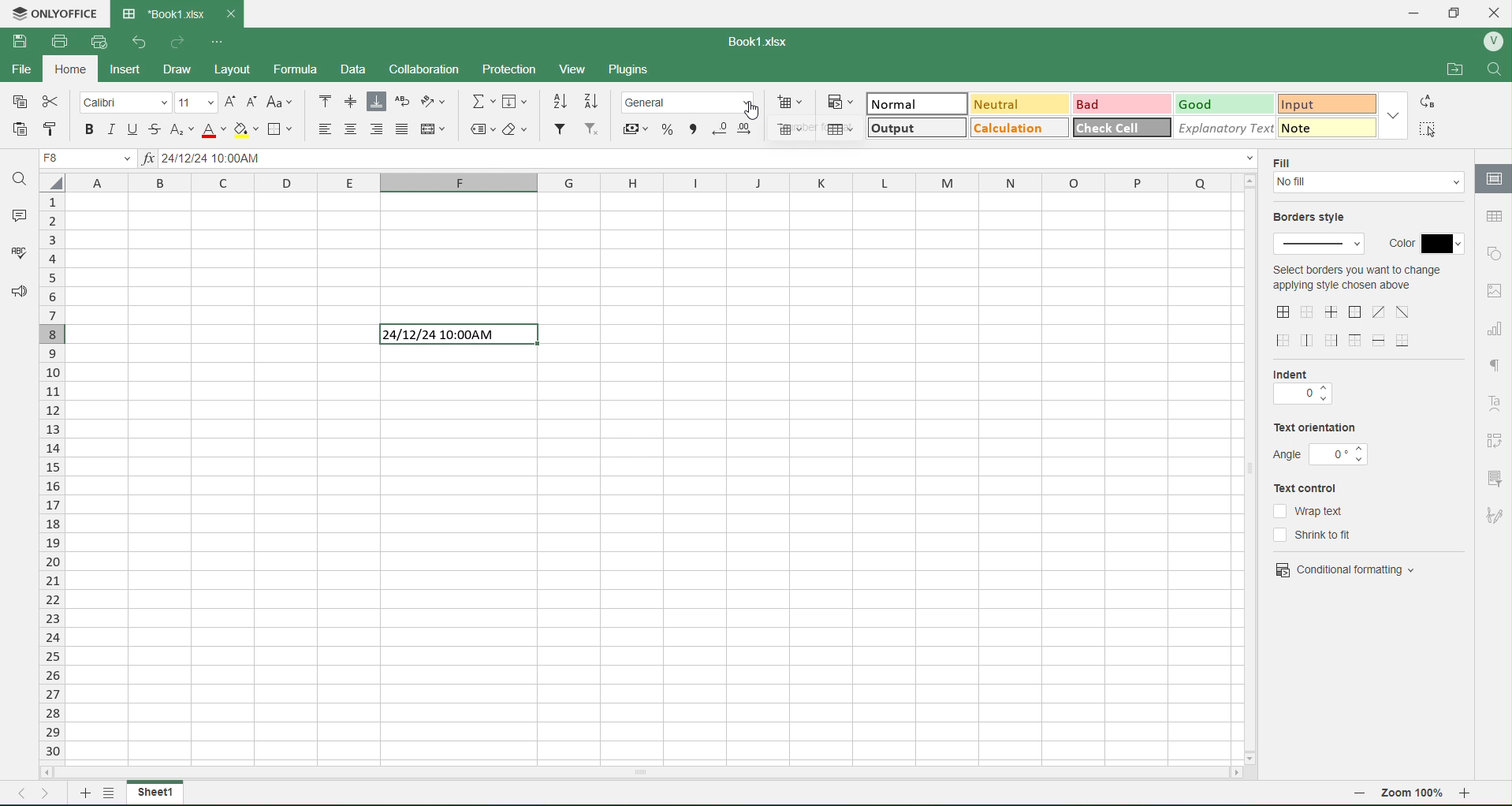 The width and height of the screenshot is (1512, 806). What do you see at coordinates (54, 491) in the screenshot?
I see `Rows Number` at bounding box center [54, 491].